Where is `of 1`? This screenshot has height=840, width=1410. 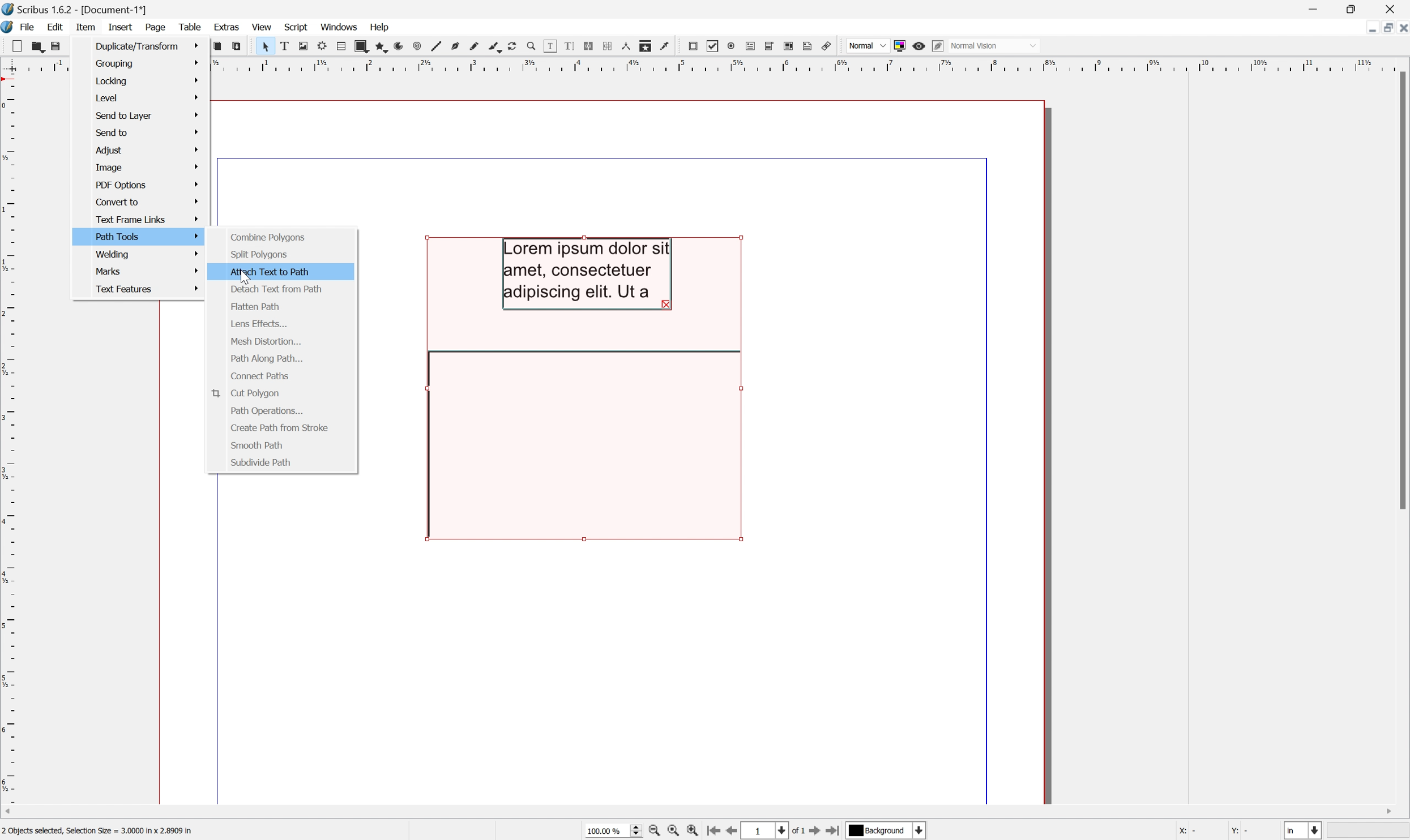 of 1 is located at coordinates (796, 832).